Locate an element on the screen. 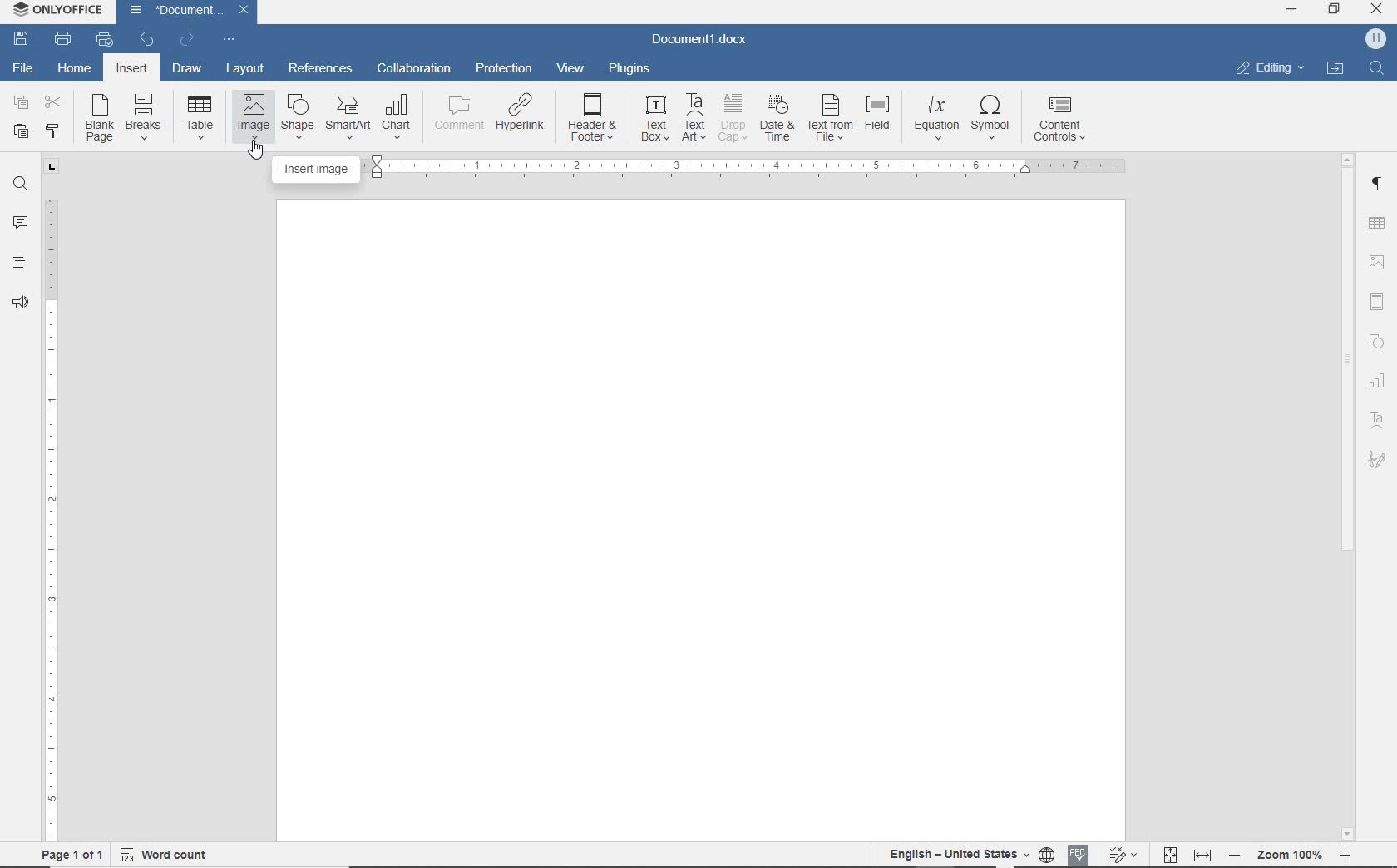  SmartArt is located at coordinates (347, 118).